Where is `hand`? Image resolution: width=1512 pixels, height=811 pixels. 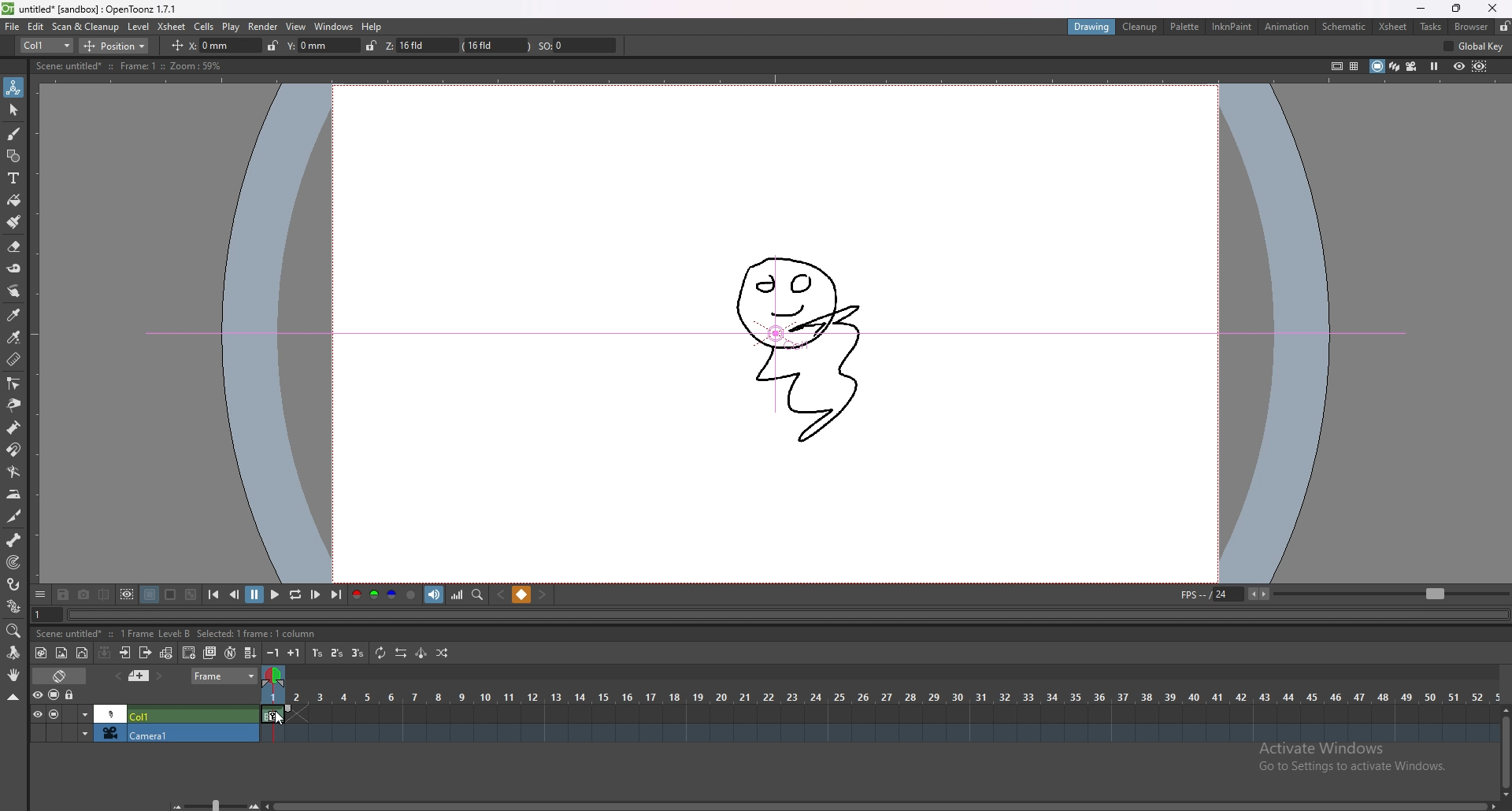
hand is located at coordinates (14, 675).